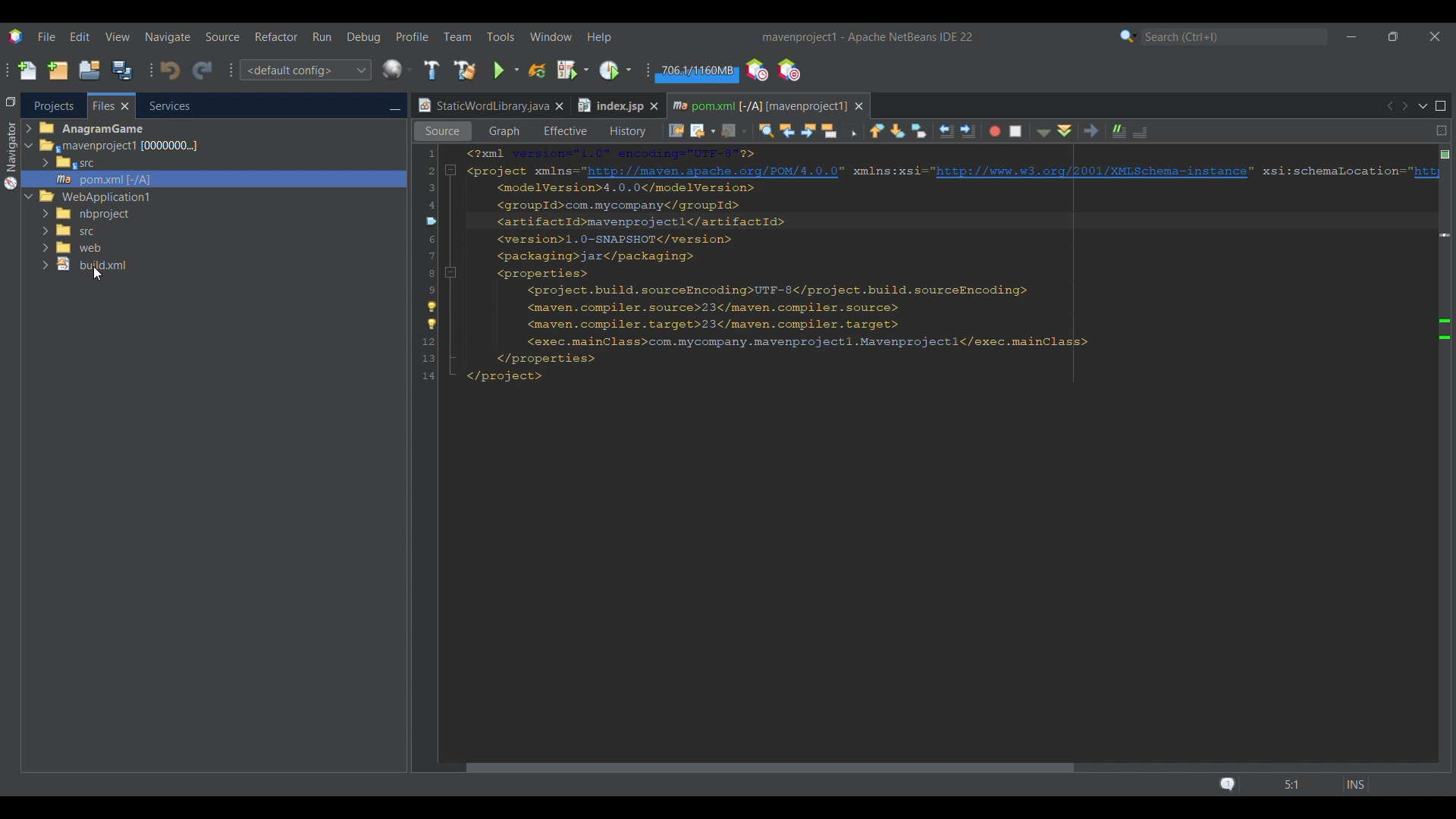  Describe the element at coordinates (1393, 36) in the screenshot. I see `Show in smaller tab` at that location.